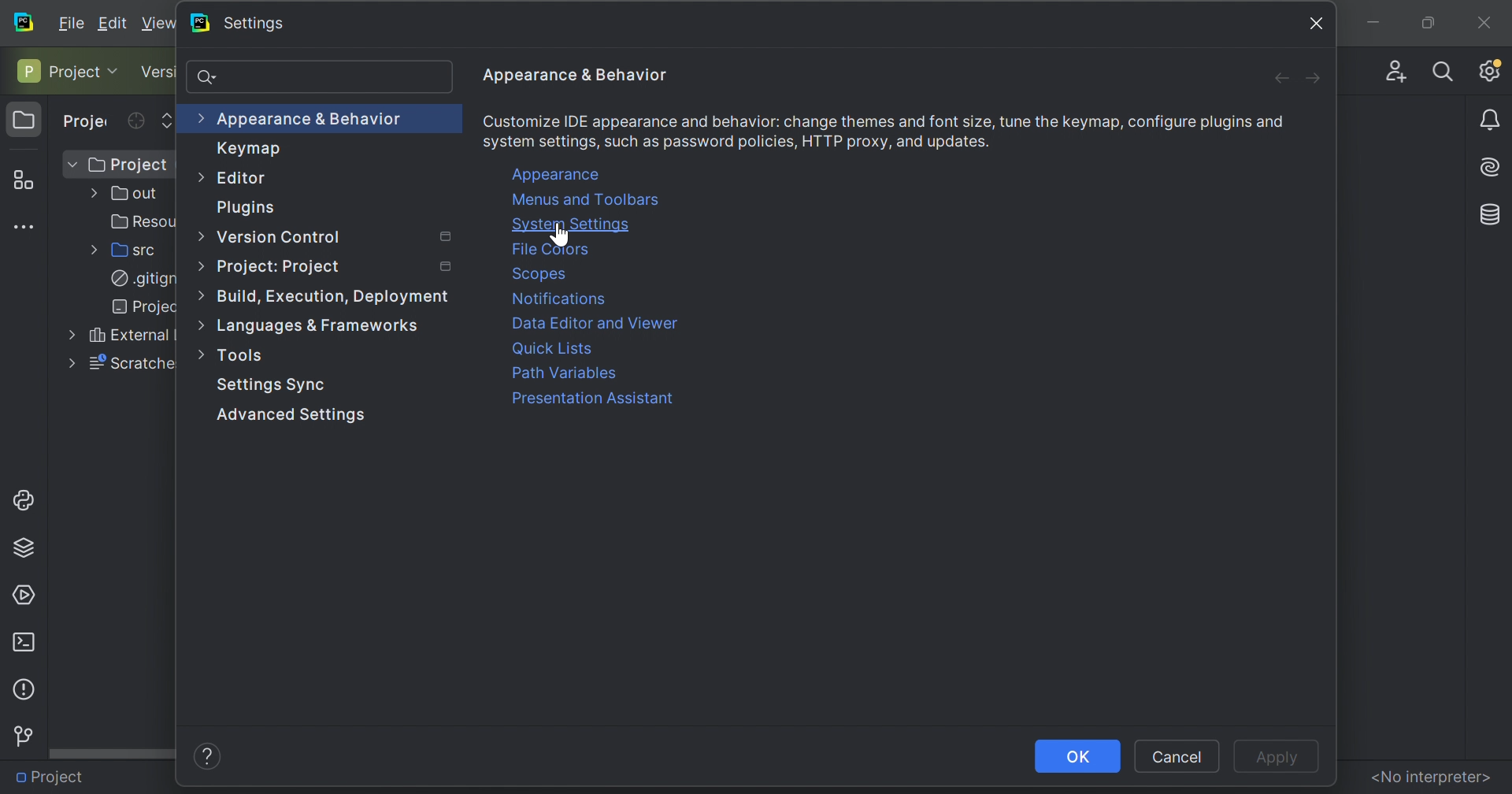 Image resolution: width=1512 pixels, height=794 pixels. I want to click on PyCharm, so click(198, 23).